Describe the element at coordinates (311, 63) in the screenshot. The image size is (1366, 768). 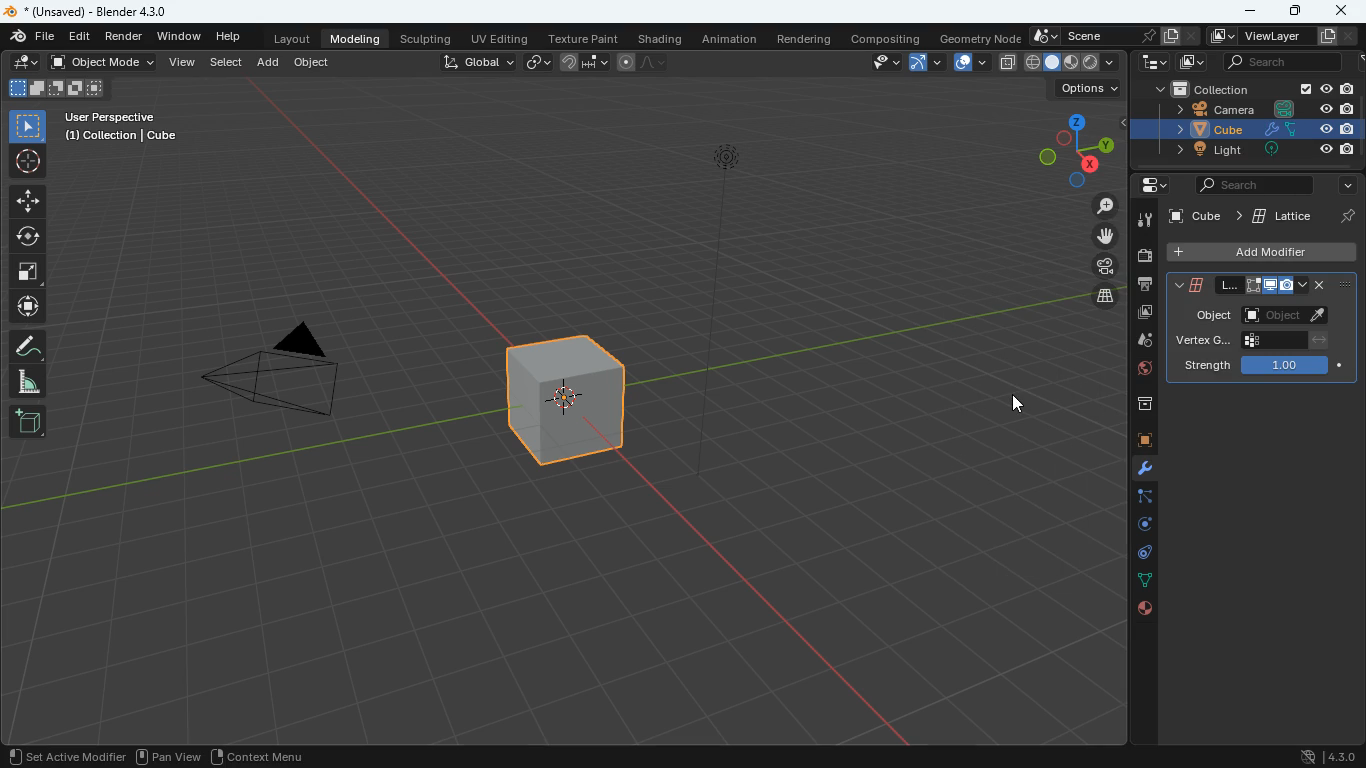
I see `object` at that location.